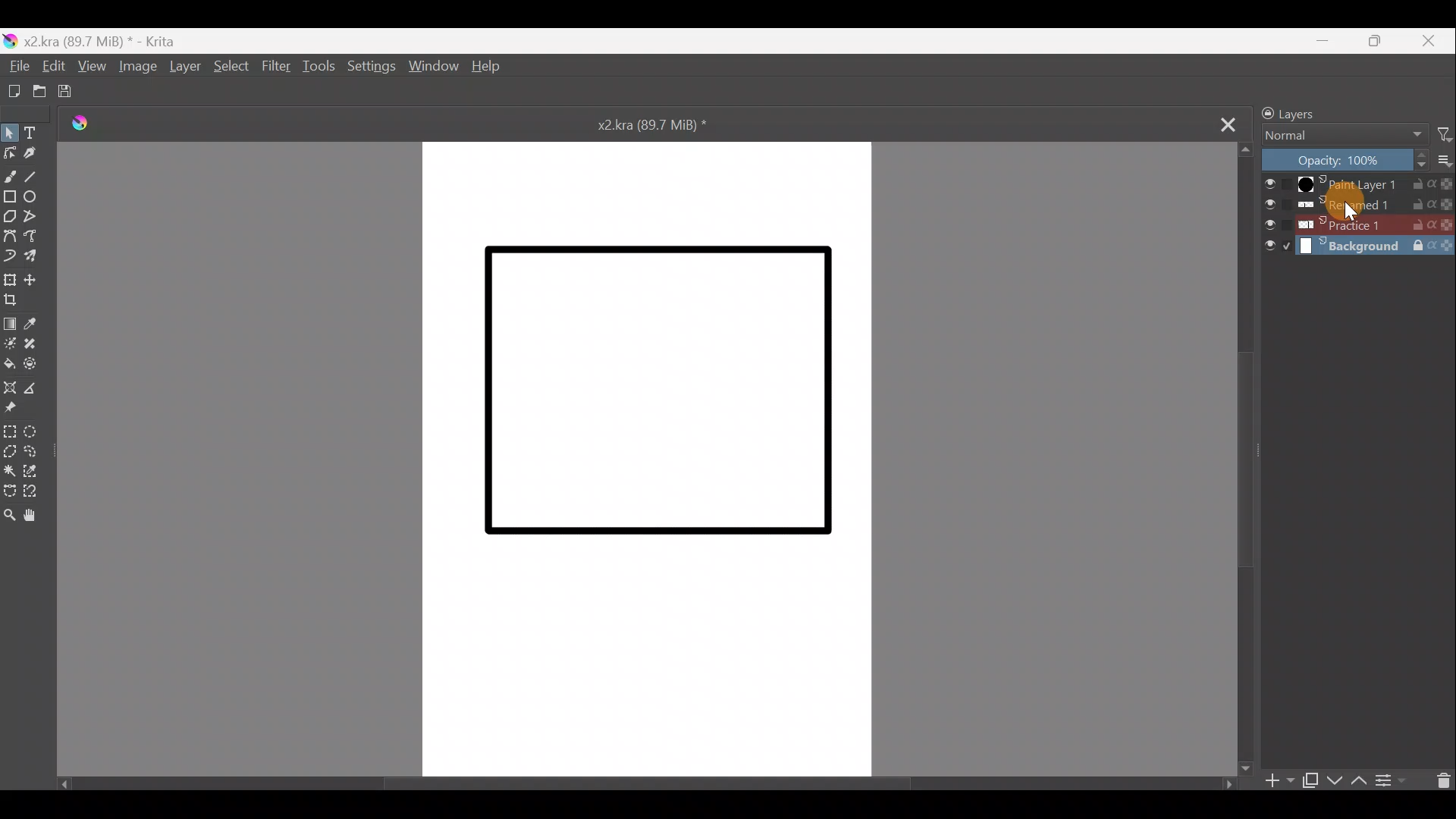  What do you see at coordinates (96, 67) in the screenshot?
I see `View` at bounding box center [96, 67].